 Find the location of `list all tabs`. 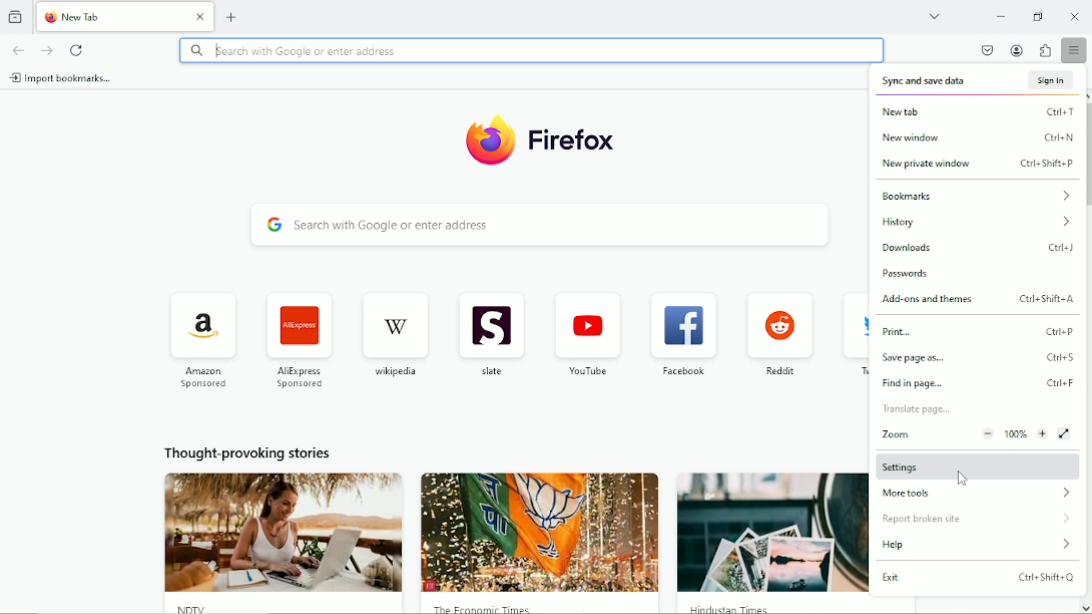

list all tabs is located at coordinates (932, 16).